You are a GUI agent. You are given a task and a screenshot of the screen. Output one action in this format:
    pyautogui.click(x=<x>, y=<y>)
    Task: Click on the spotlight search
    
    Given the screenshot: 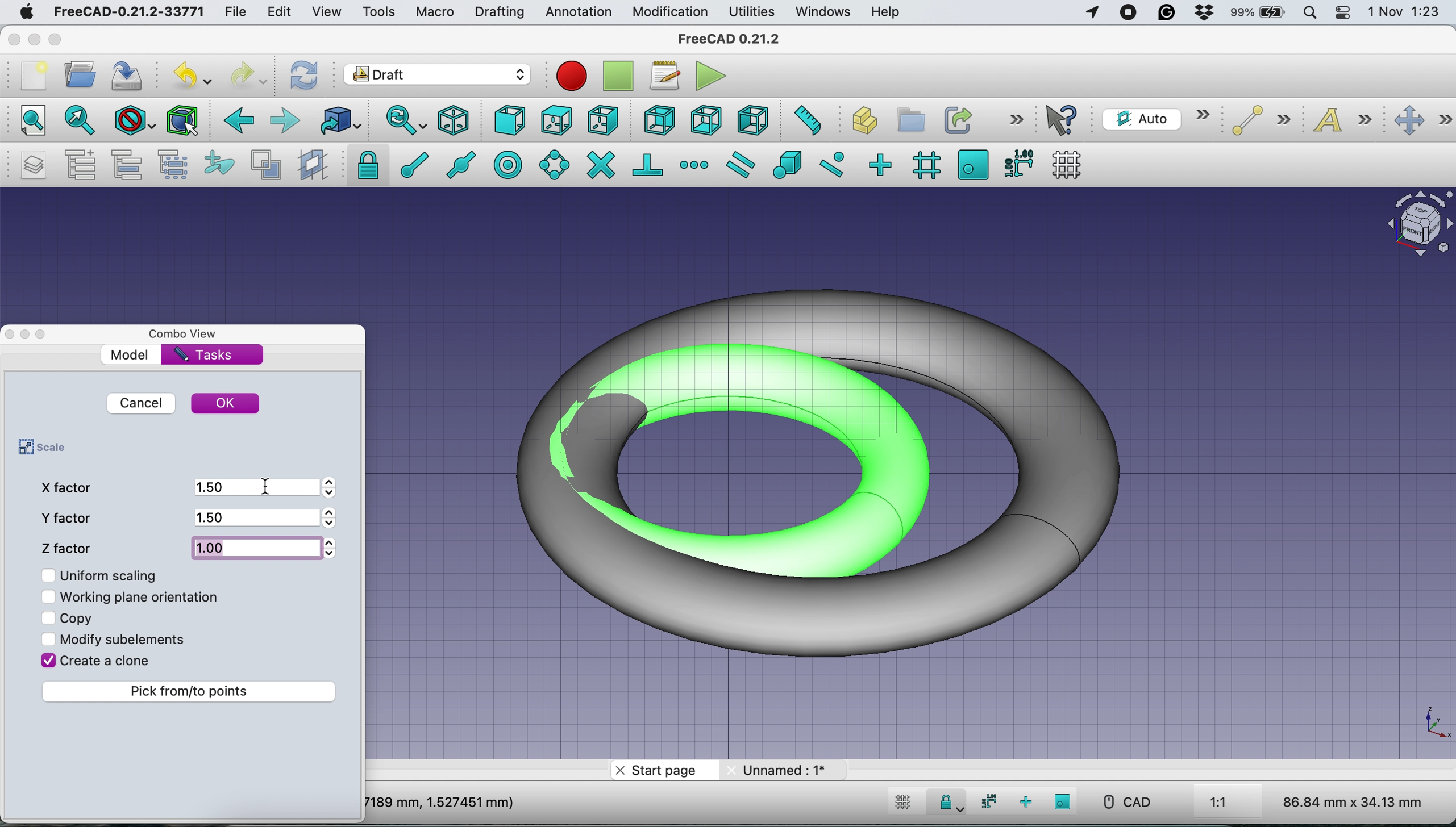 What is the action you would take?
    pyautogui.click(x=1312, y=11)
    